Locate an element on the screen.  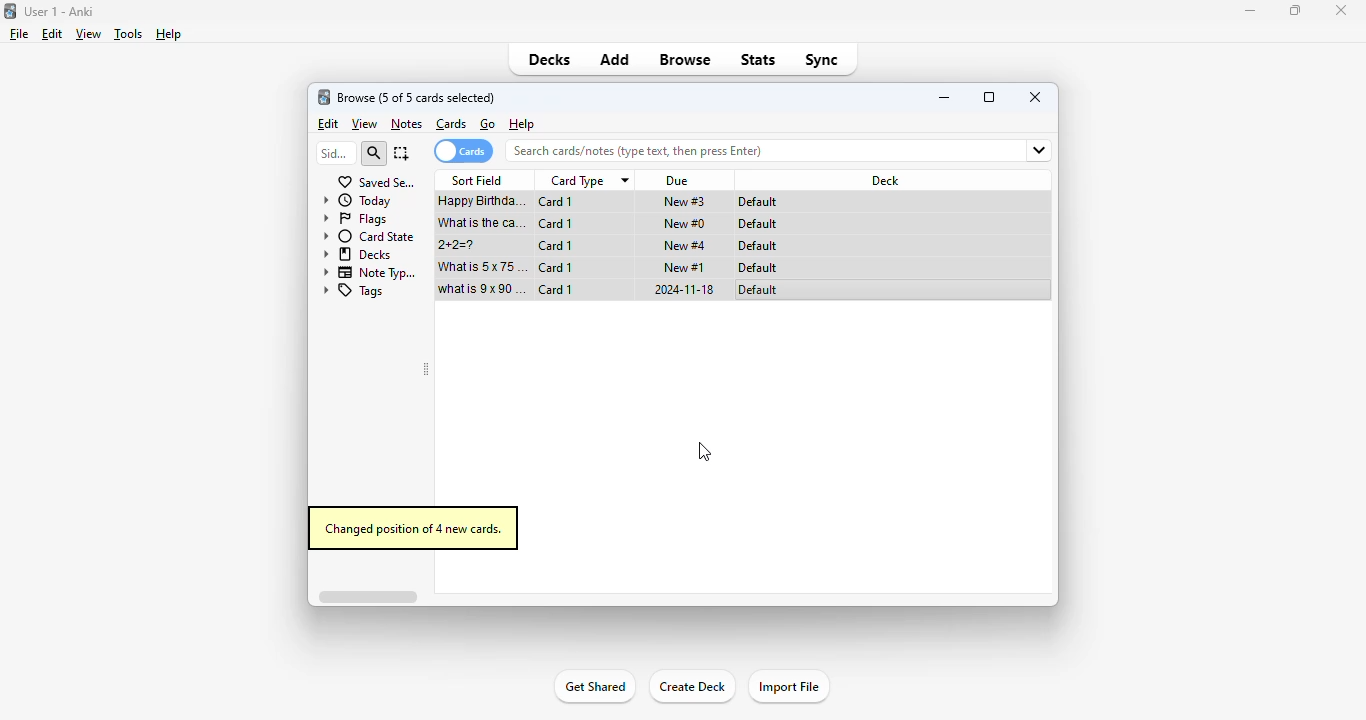
flags is located at coordinates (355, 219).